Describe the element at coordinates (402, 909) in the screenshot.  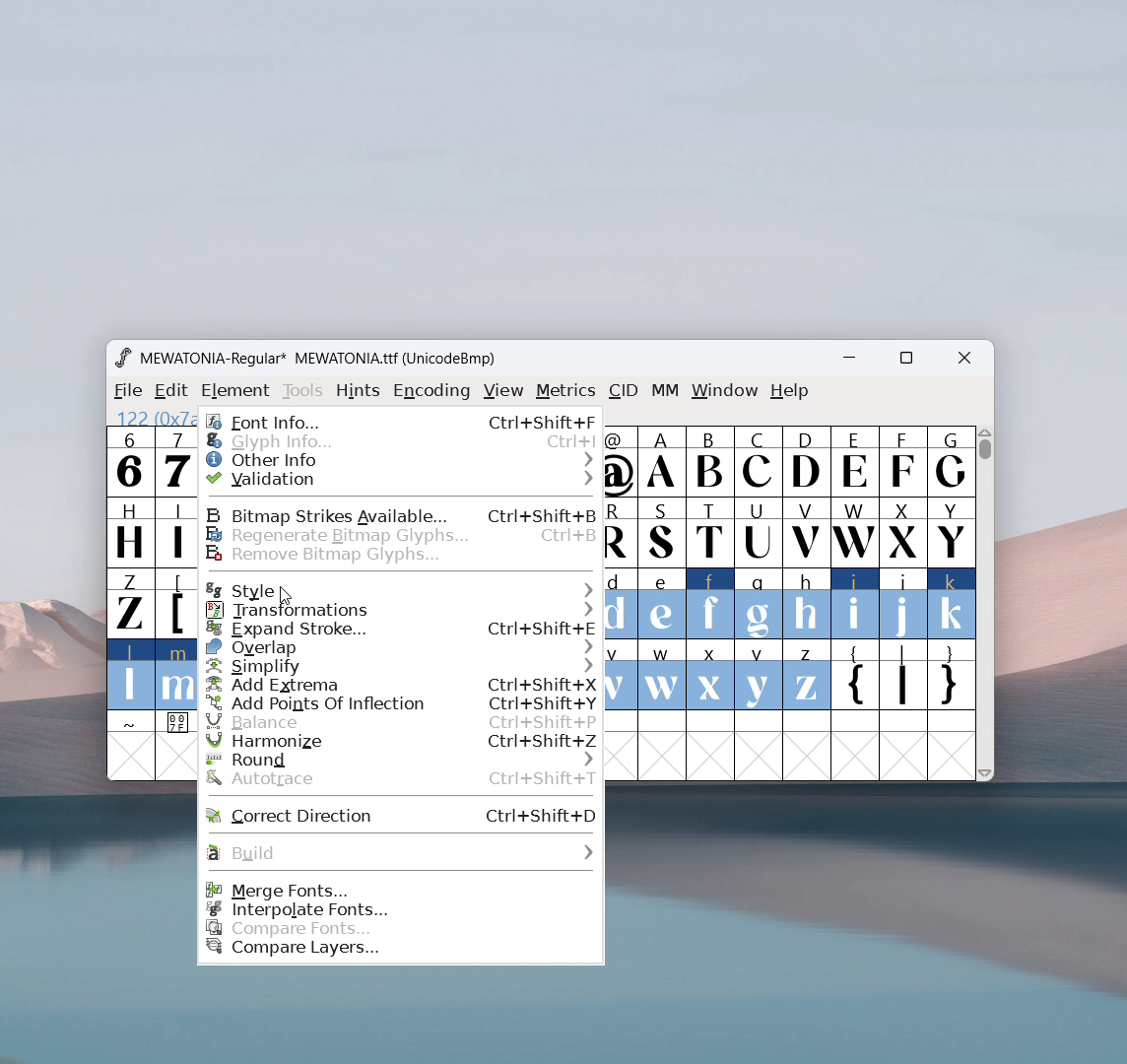
I see `interpolate fonts` at that location.